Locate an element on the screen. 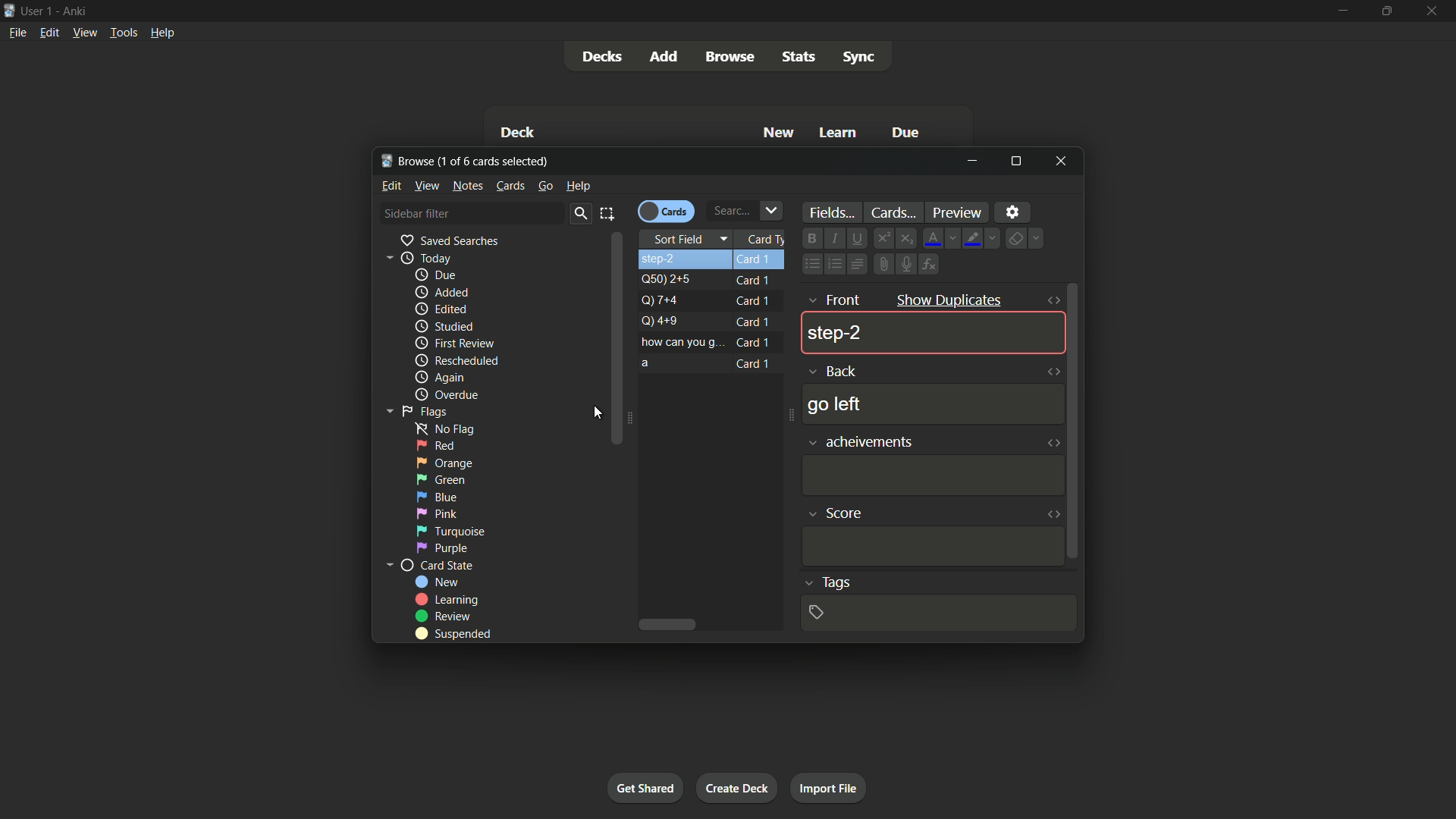  Toggle html editor is located at coordinates (1051, 302).